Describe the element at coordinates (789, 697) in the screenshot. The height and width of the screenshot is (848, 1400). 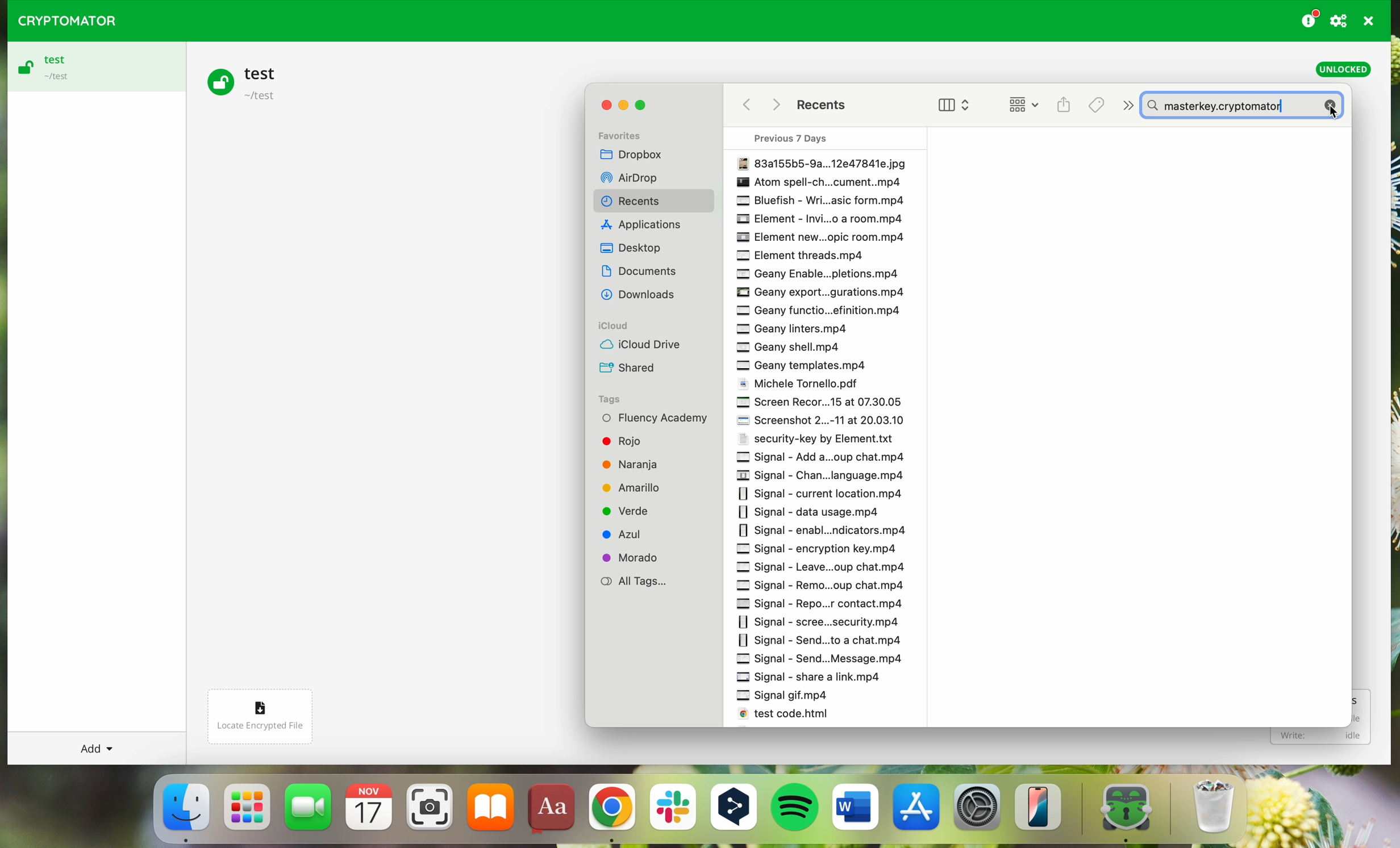
I see `Signal gif` at that location.